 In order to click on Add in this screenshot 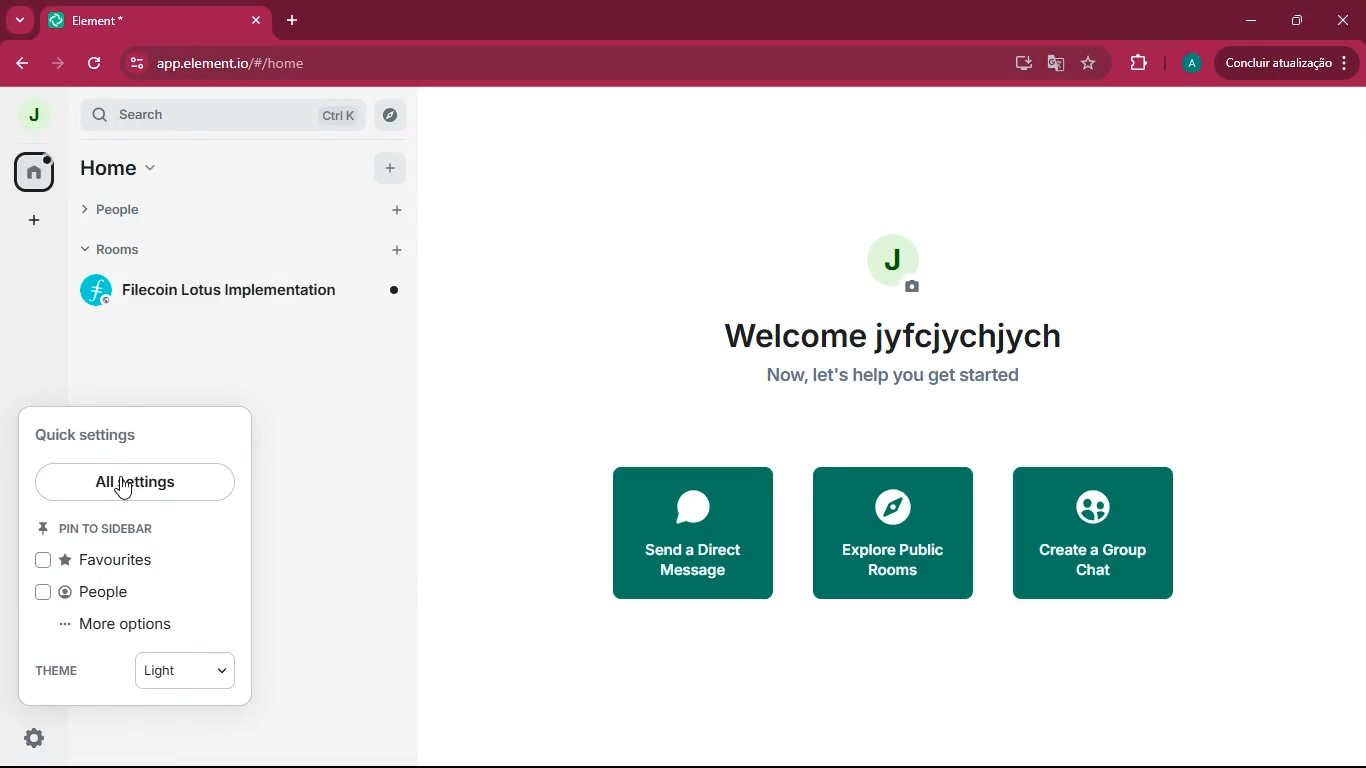, I will do `click(394, 249)`.